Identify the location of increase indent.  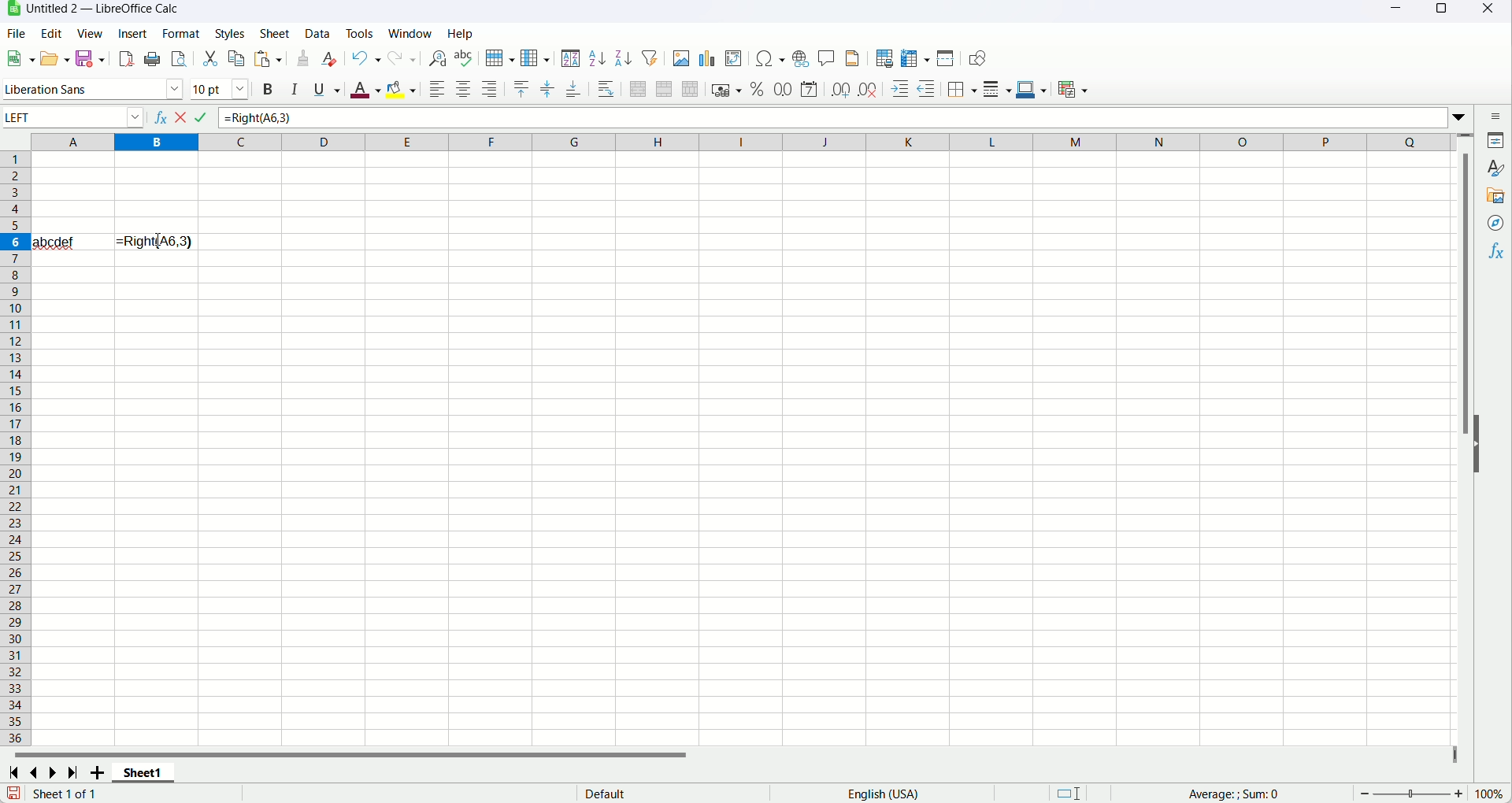
(900, 89).